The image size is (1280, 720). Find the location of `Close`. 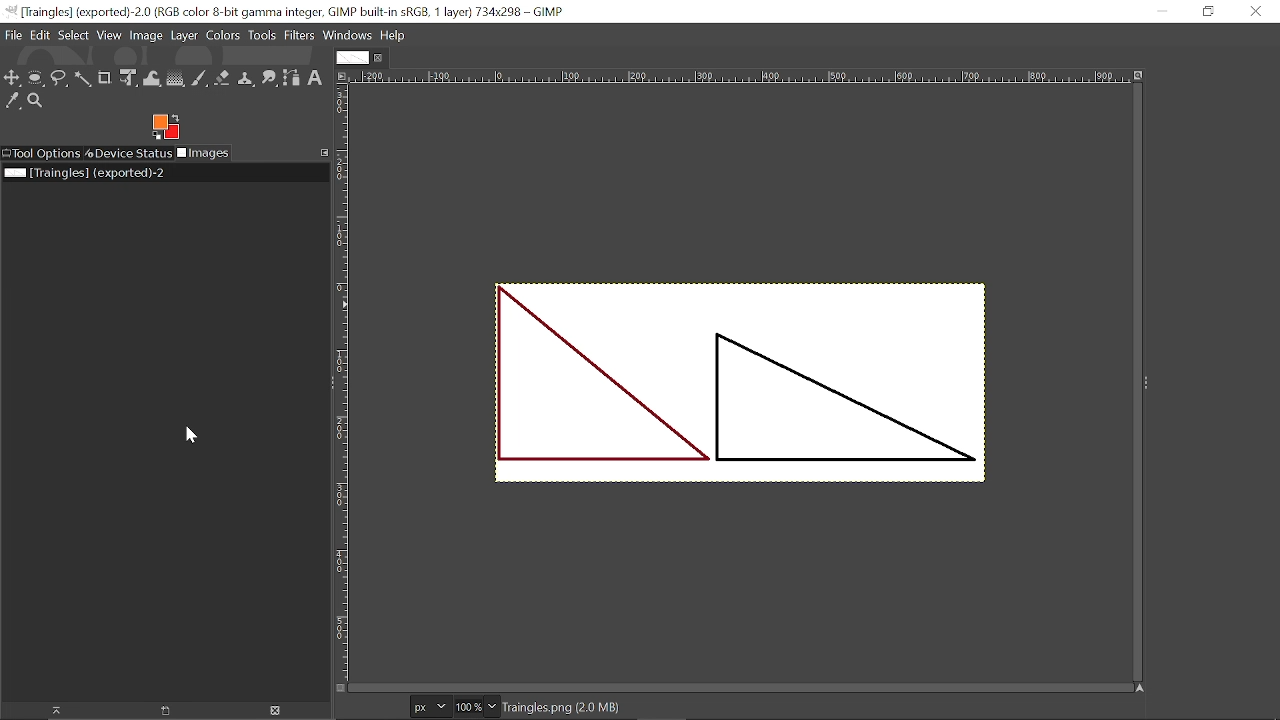

Close is located at coordinates (1257, 13).